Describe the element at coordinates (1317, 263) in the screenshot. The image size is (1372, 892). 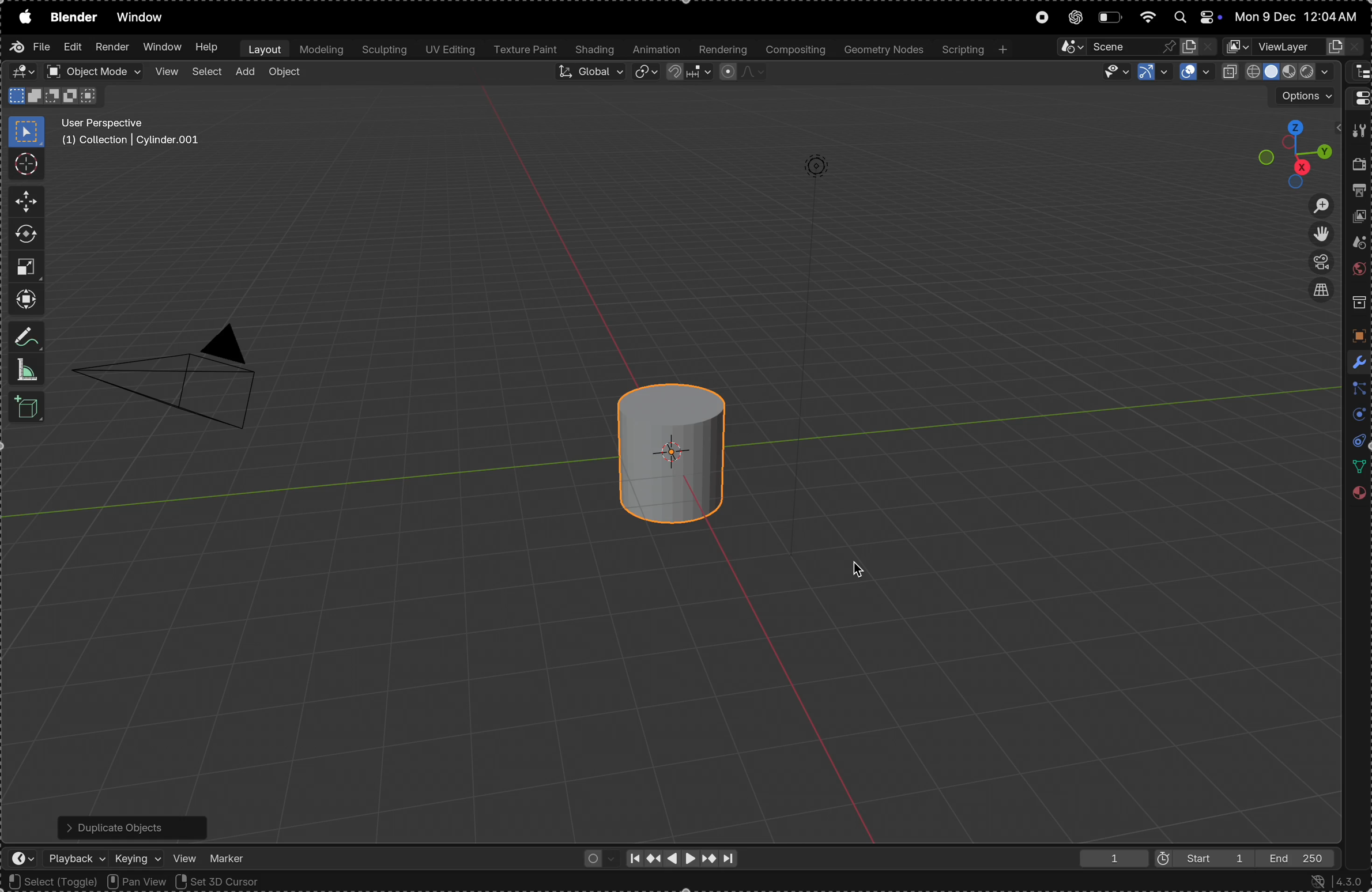
I see `toggle camera view` at that location.